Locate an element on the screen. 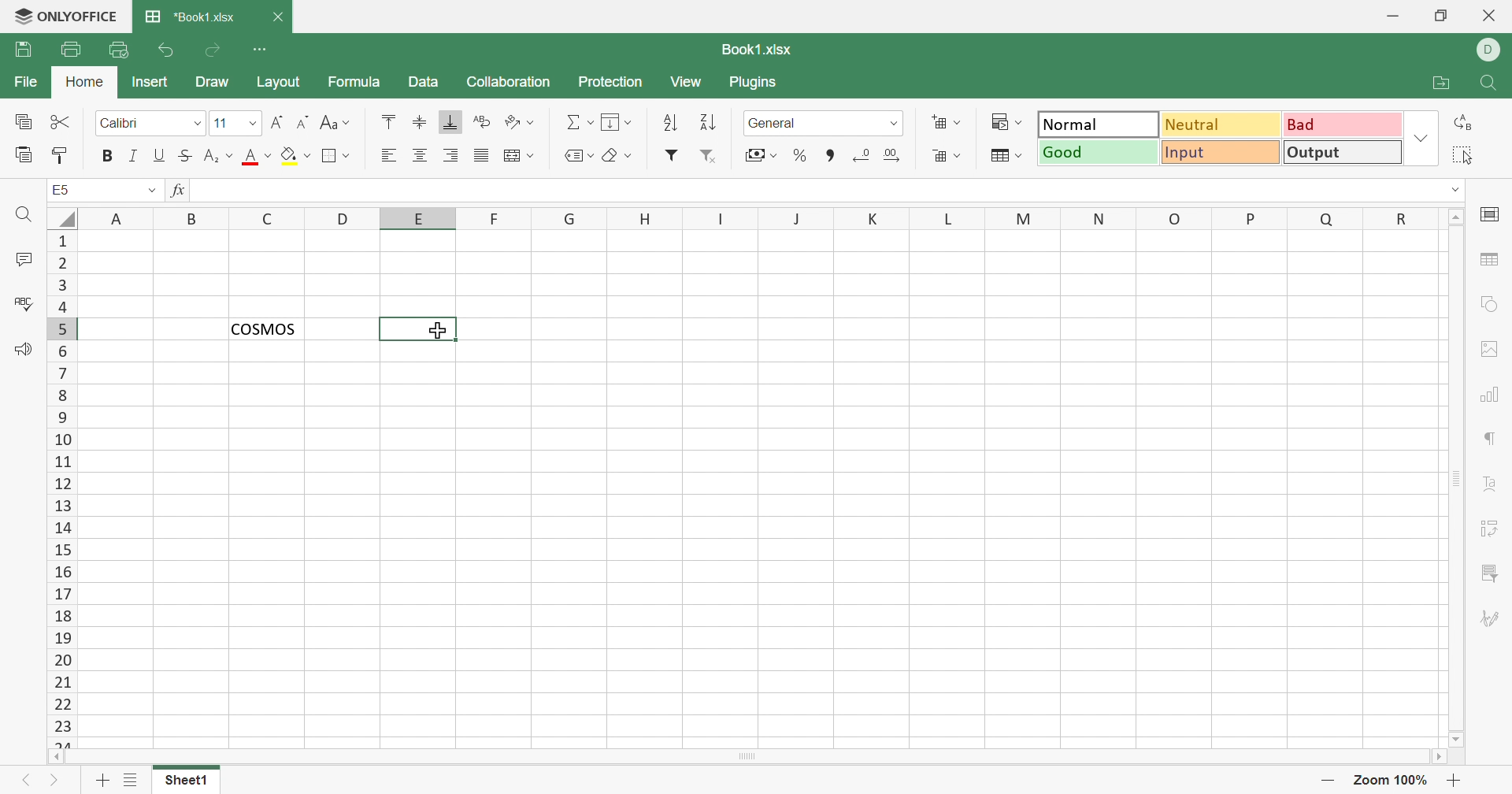 This screenshot has height=794, width=1512. Find is located at coordinates (1489, 84).